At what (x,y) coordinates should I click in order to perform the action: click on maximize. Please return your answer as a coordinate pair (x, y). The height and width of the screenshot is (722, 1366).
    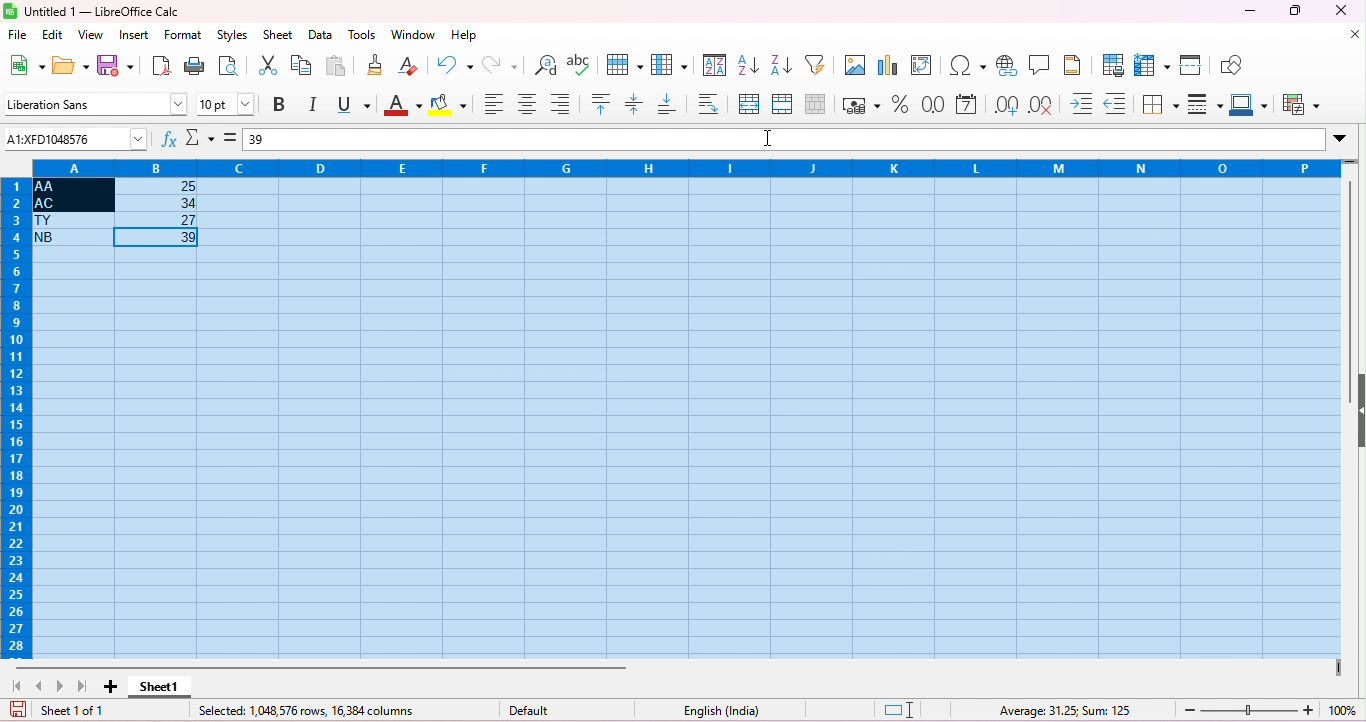
    Looking at the image, I should click on (1293, 10).